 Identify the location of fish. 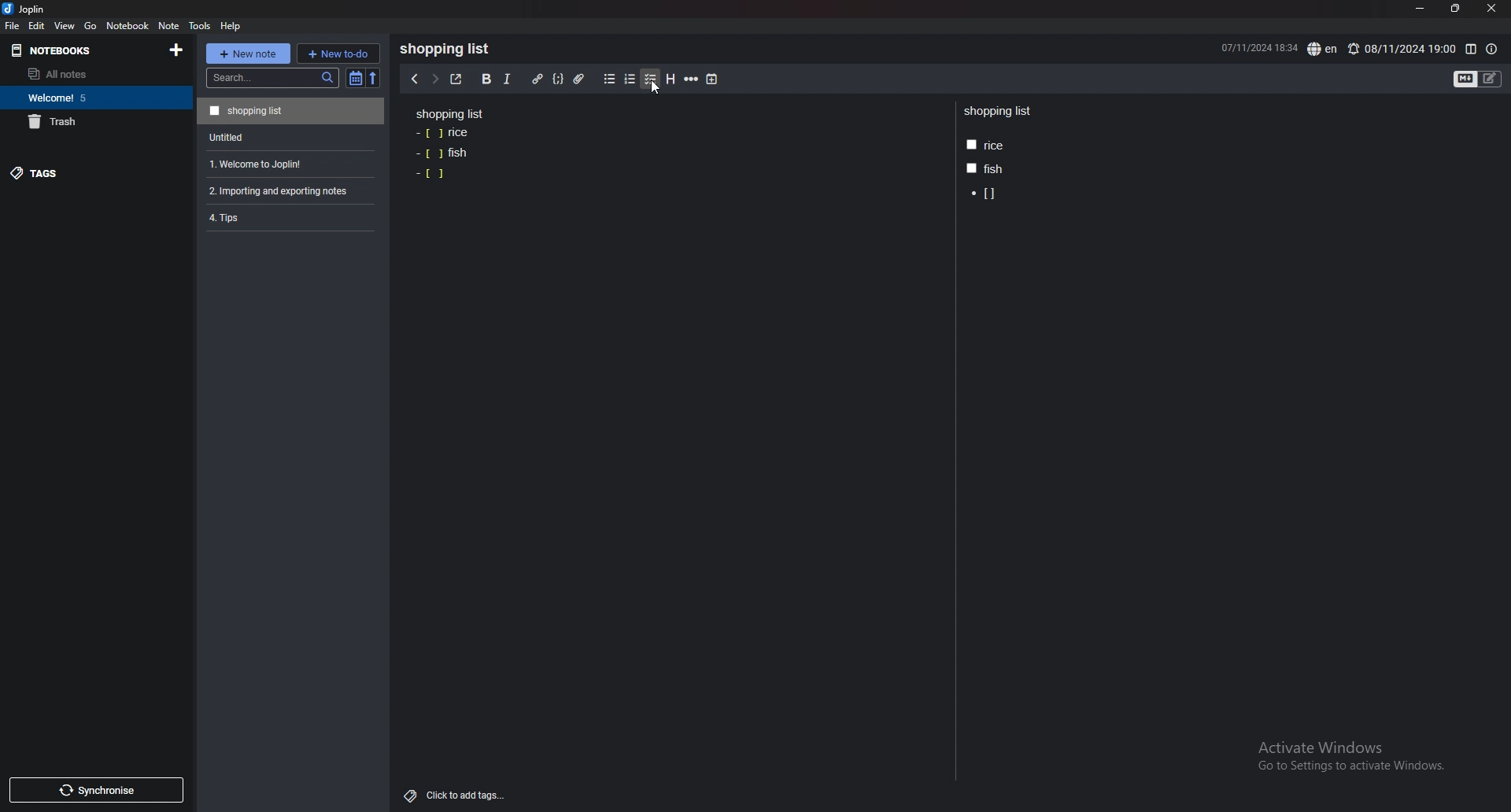
(441, 153).